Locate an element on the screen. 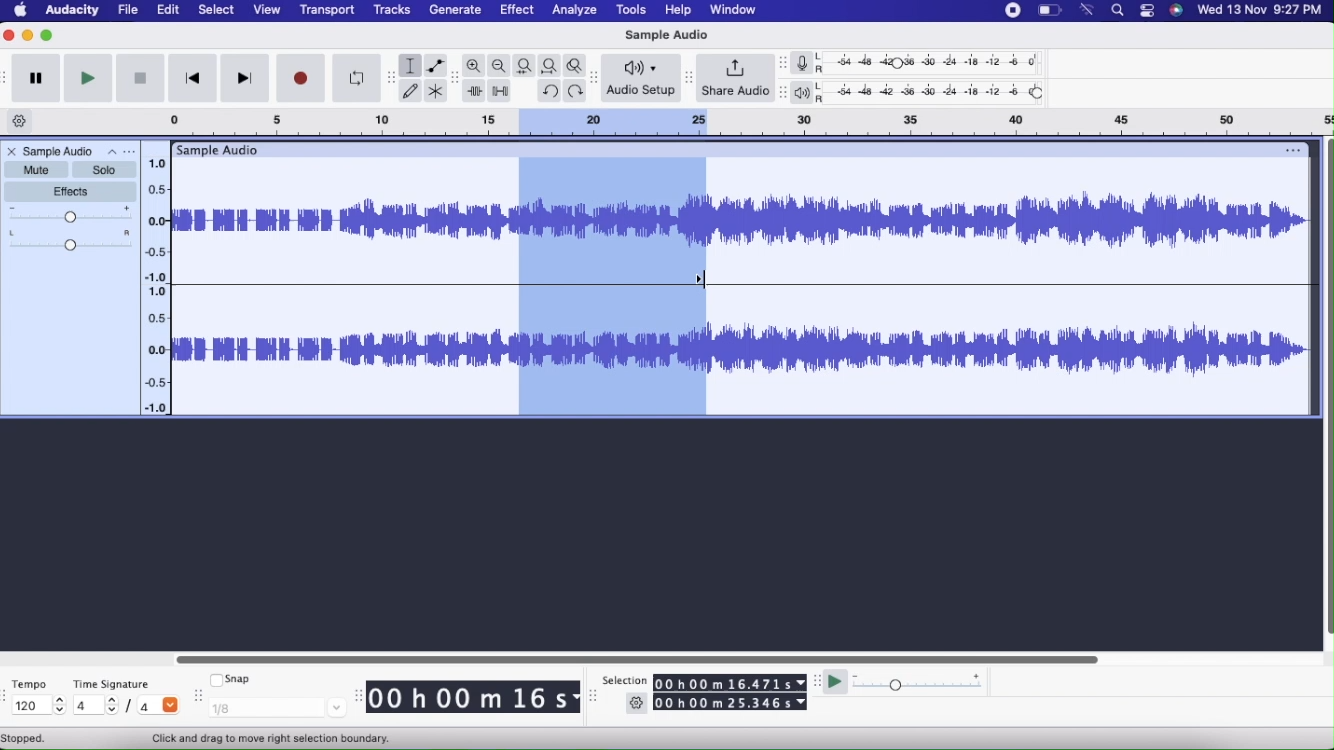 The height and width of the screenshot is (750, 1334). audio level is located at coordinates (155, 351).